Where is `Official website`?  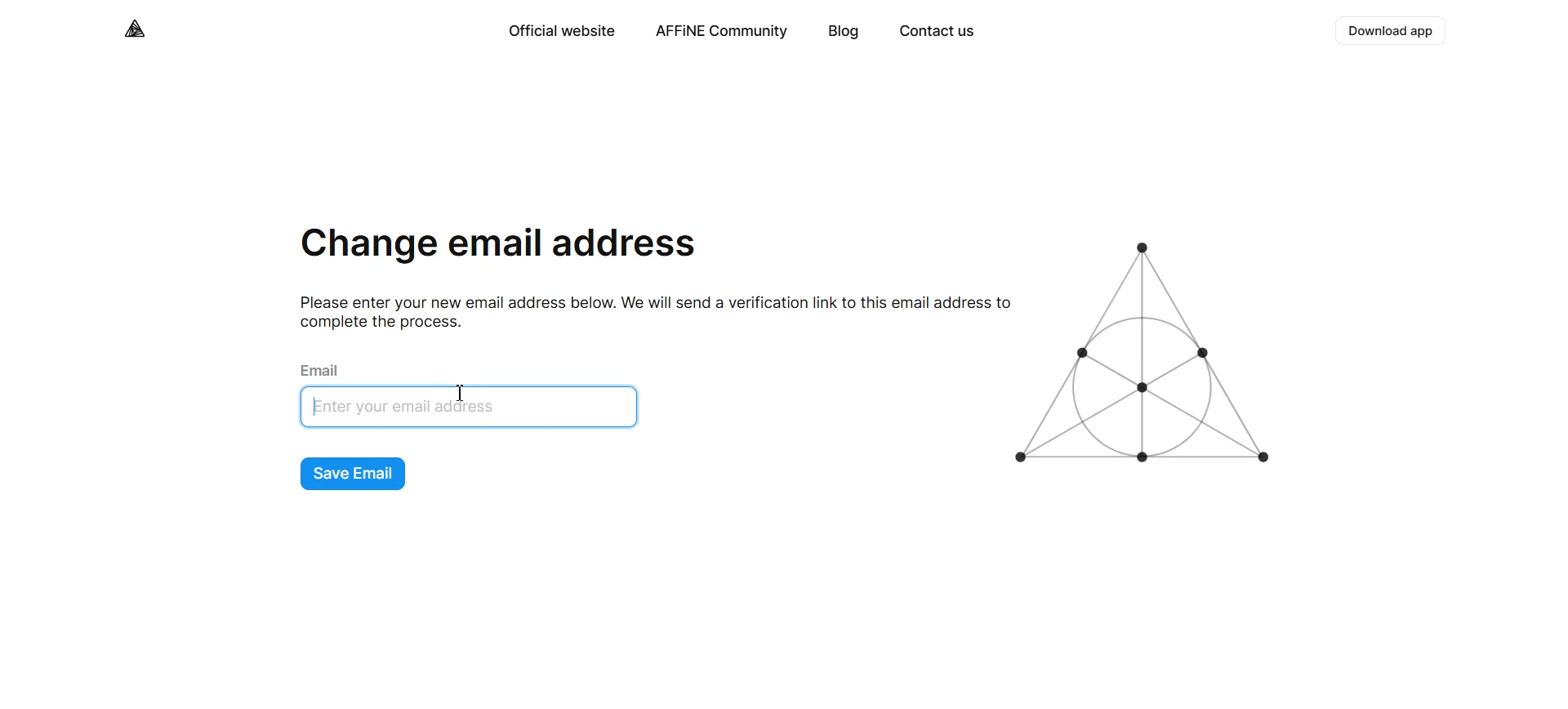 Official website is located at coordinates (560, 31).